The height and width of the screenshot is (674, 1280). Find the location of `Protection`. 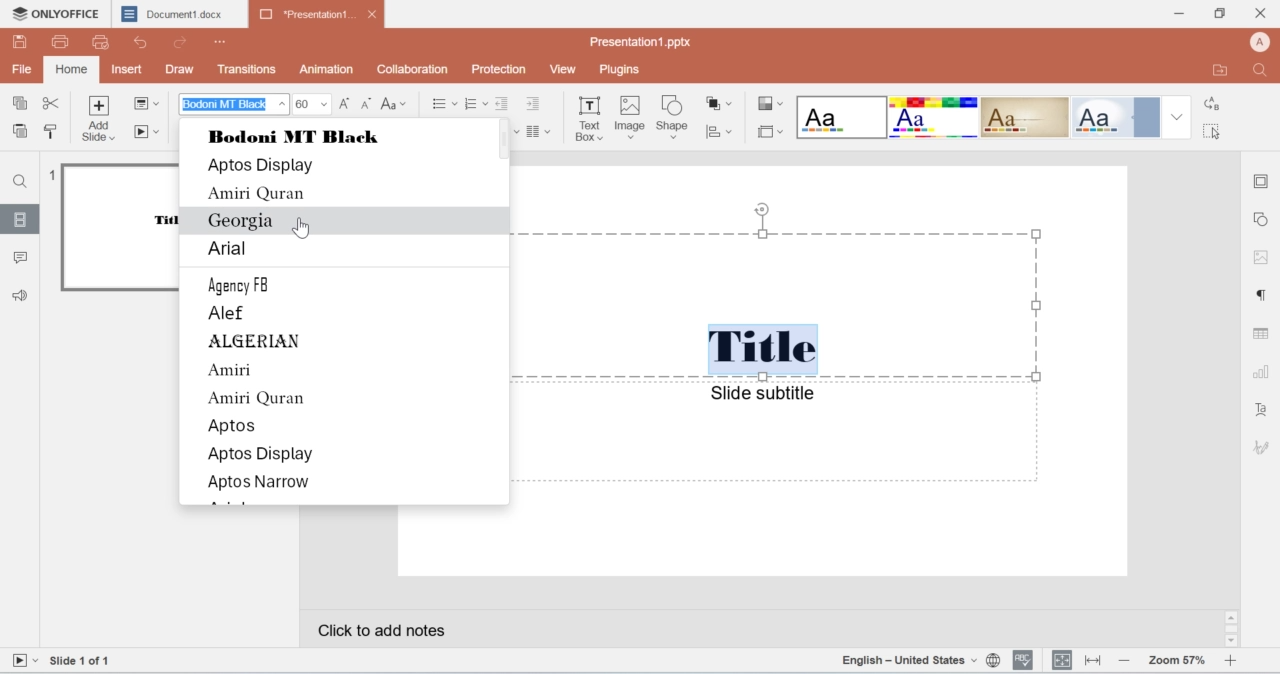

Protection is located at coordinates (500, 69).